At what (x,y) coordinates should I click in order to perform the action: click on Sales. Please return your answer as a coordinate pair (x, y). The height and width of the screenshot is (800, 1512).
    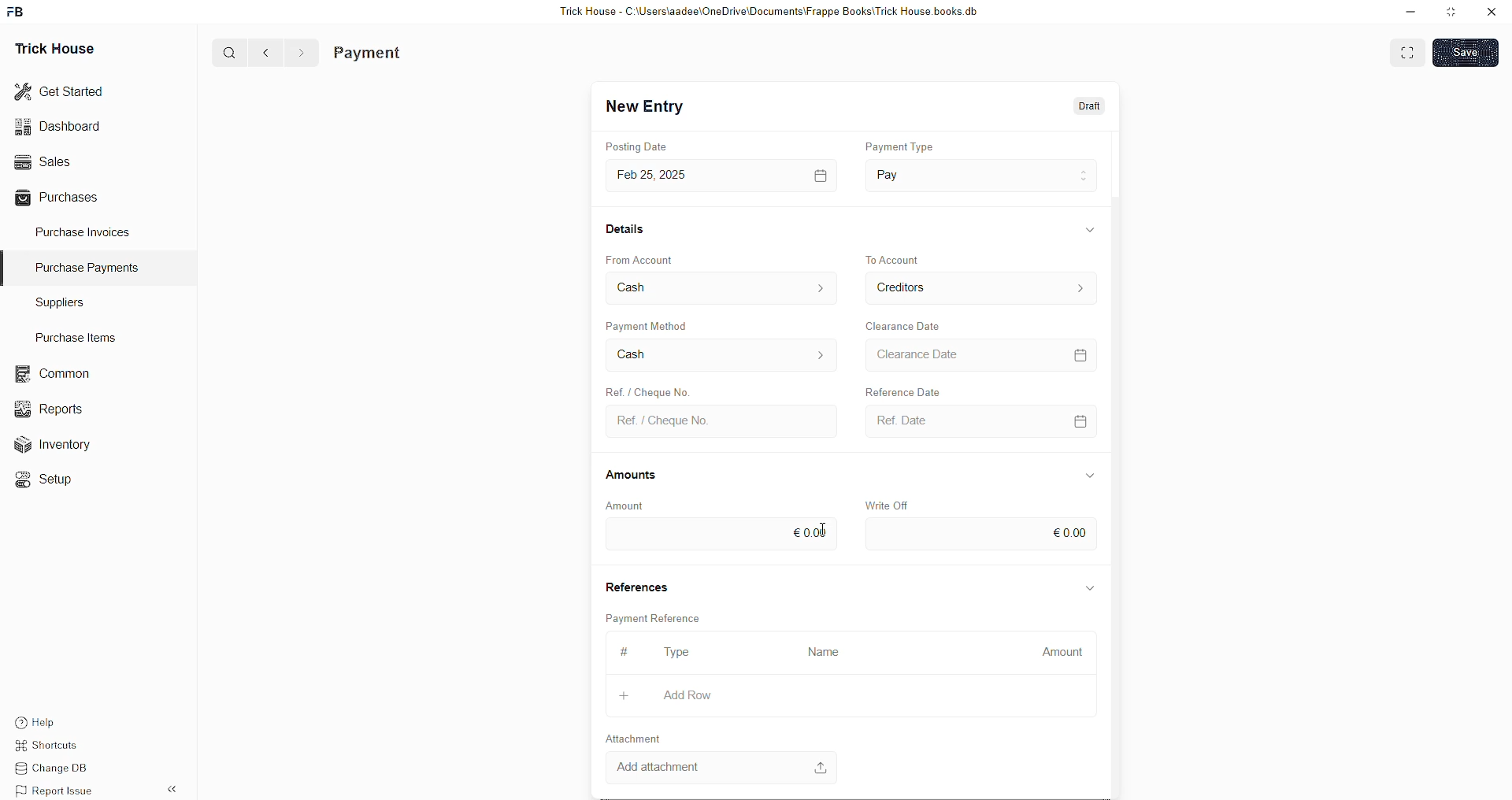
    Looking at the image, I should click on (41, 160).